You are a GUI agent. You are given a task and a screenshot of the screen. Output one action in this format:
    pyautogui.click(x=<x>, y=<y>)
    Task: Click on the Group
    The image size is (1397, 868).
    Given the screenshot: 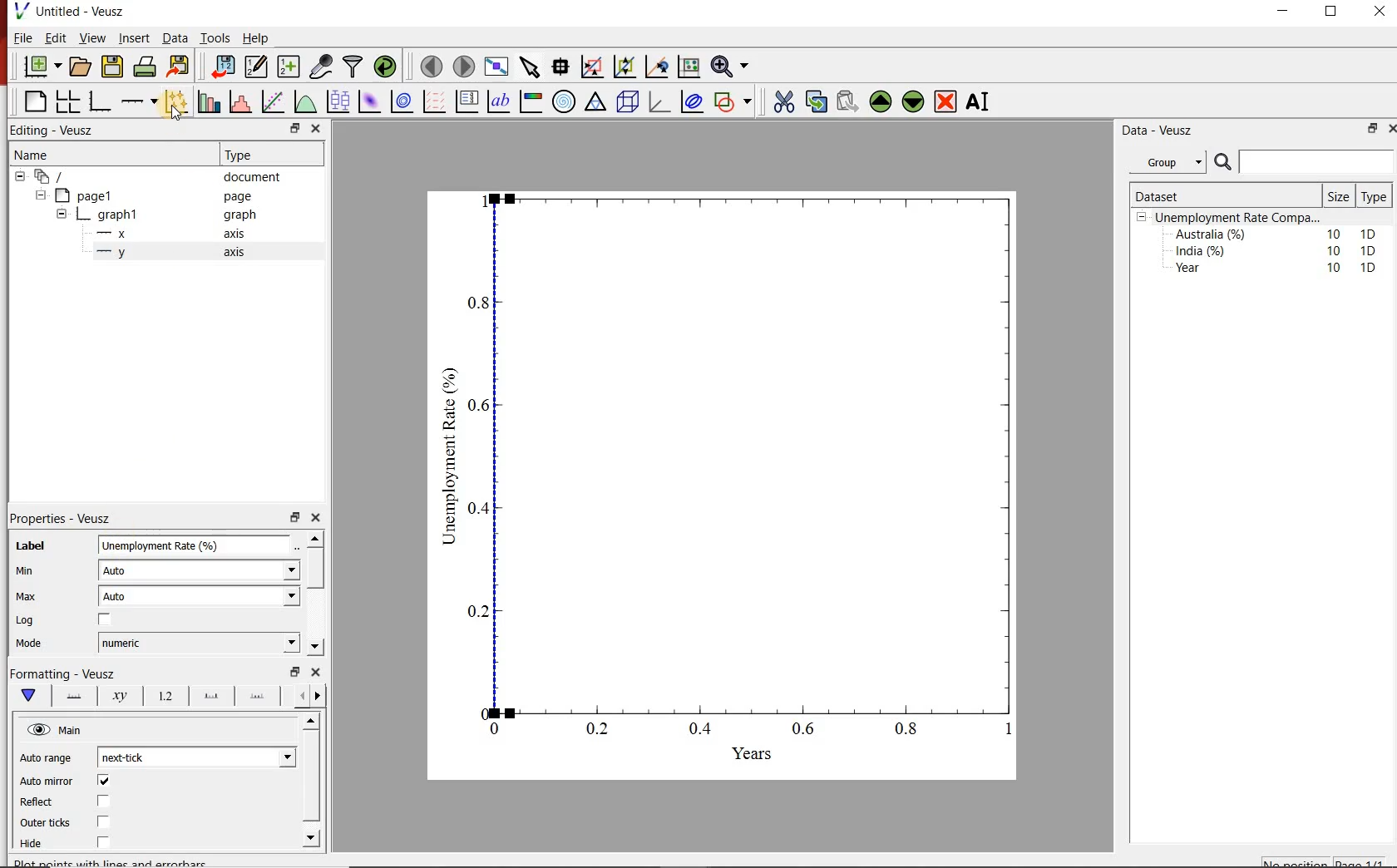 What is the action you would take?
    pyautogui.click(x=1170, y=162)
    